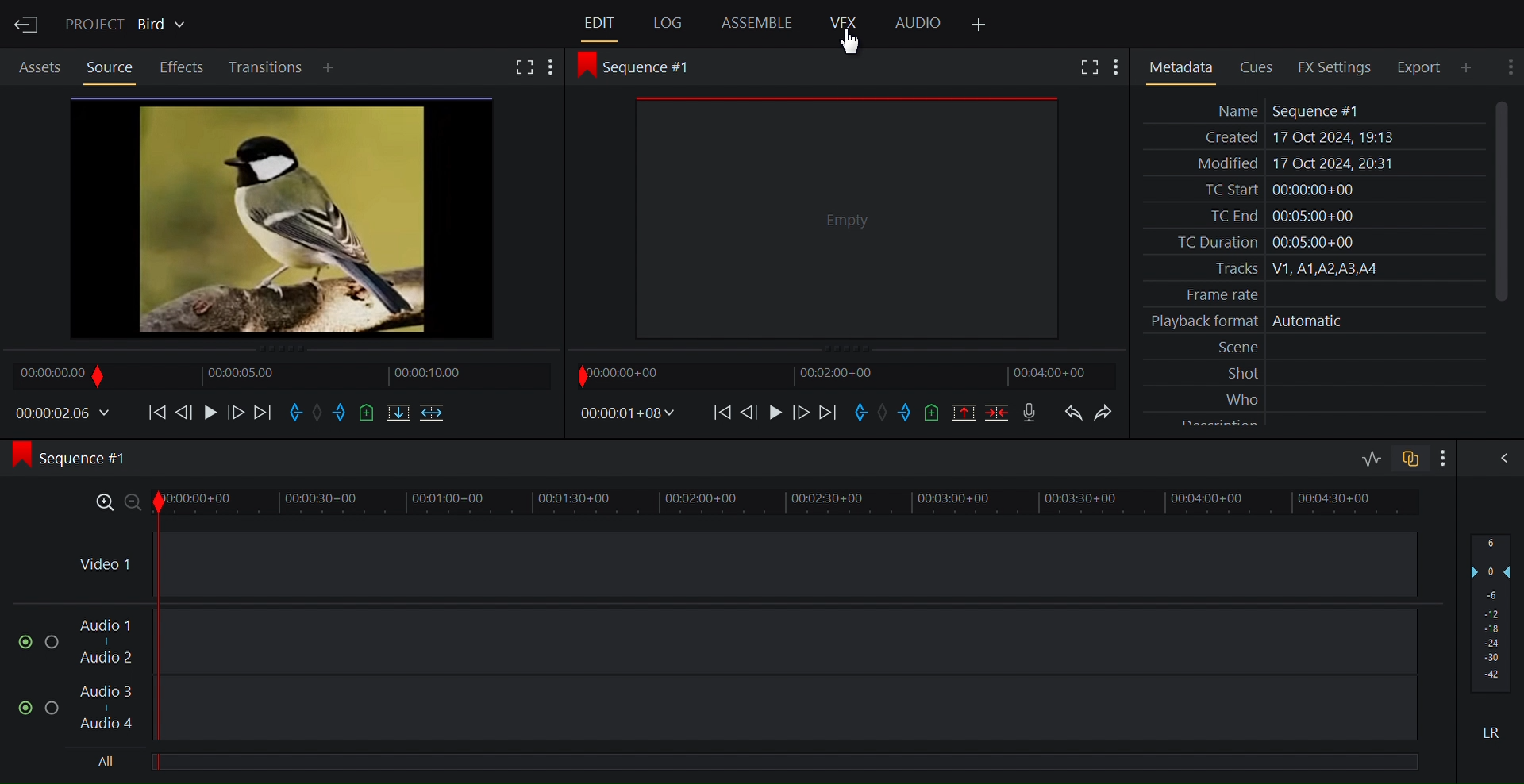 The image size is (1524, 784). Describe the element at coordinates (602, 25) in the screenshot. I see `Edit` at that location.